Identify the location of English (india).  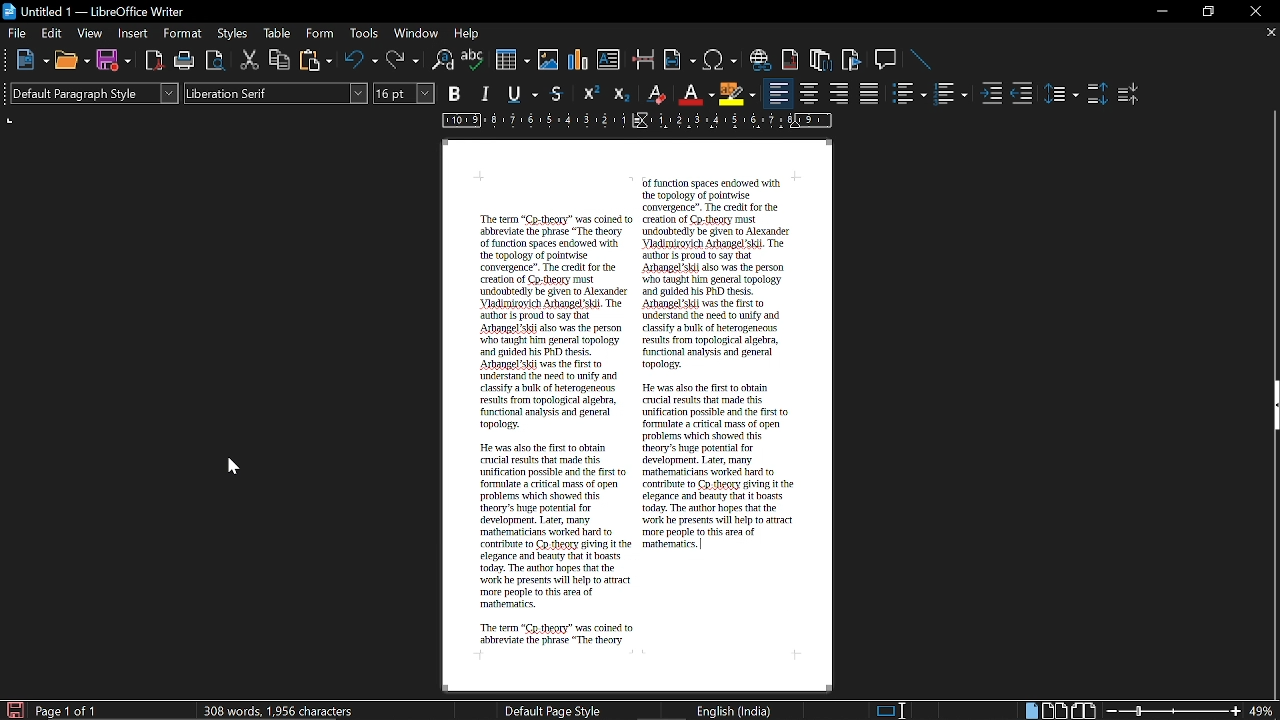
(733, 708).